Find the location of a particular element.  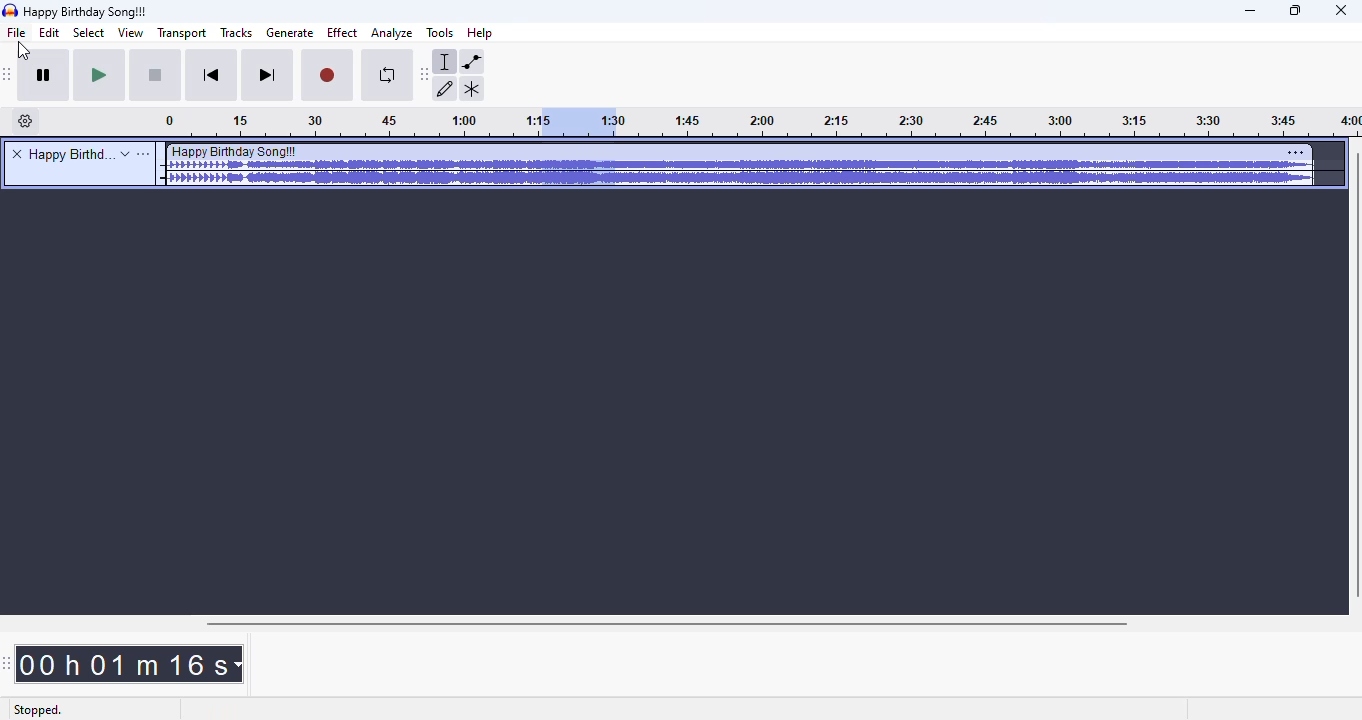

minimize is located at coordinates (1251, 12).